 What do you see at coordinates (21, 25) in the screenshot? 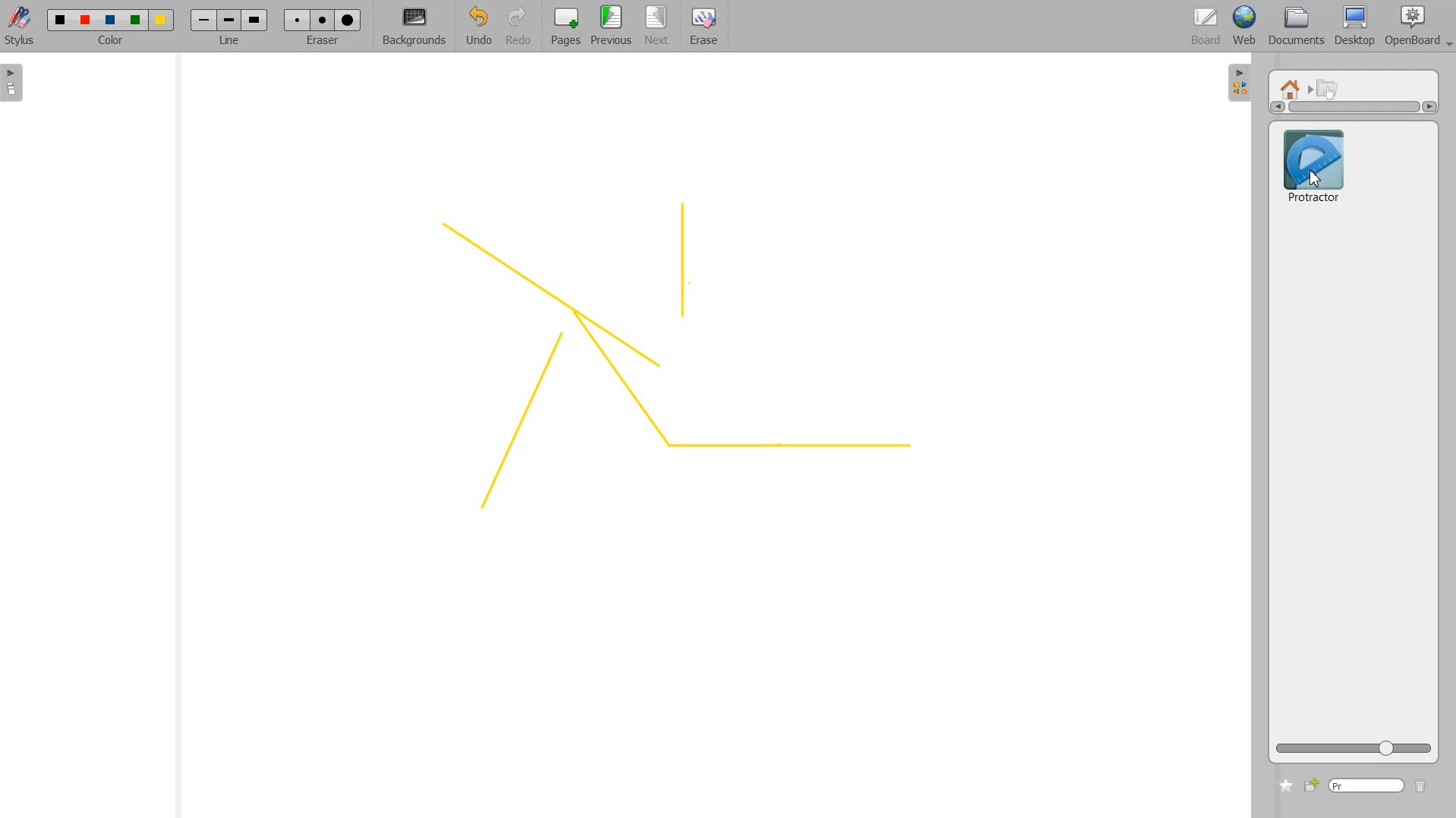
I see `Stylus` at bounding box center [21, 25].